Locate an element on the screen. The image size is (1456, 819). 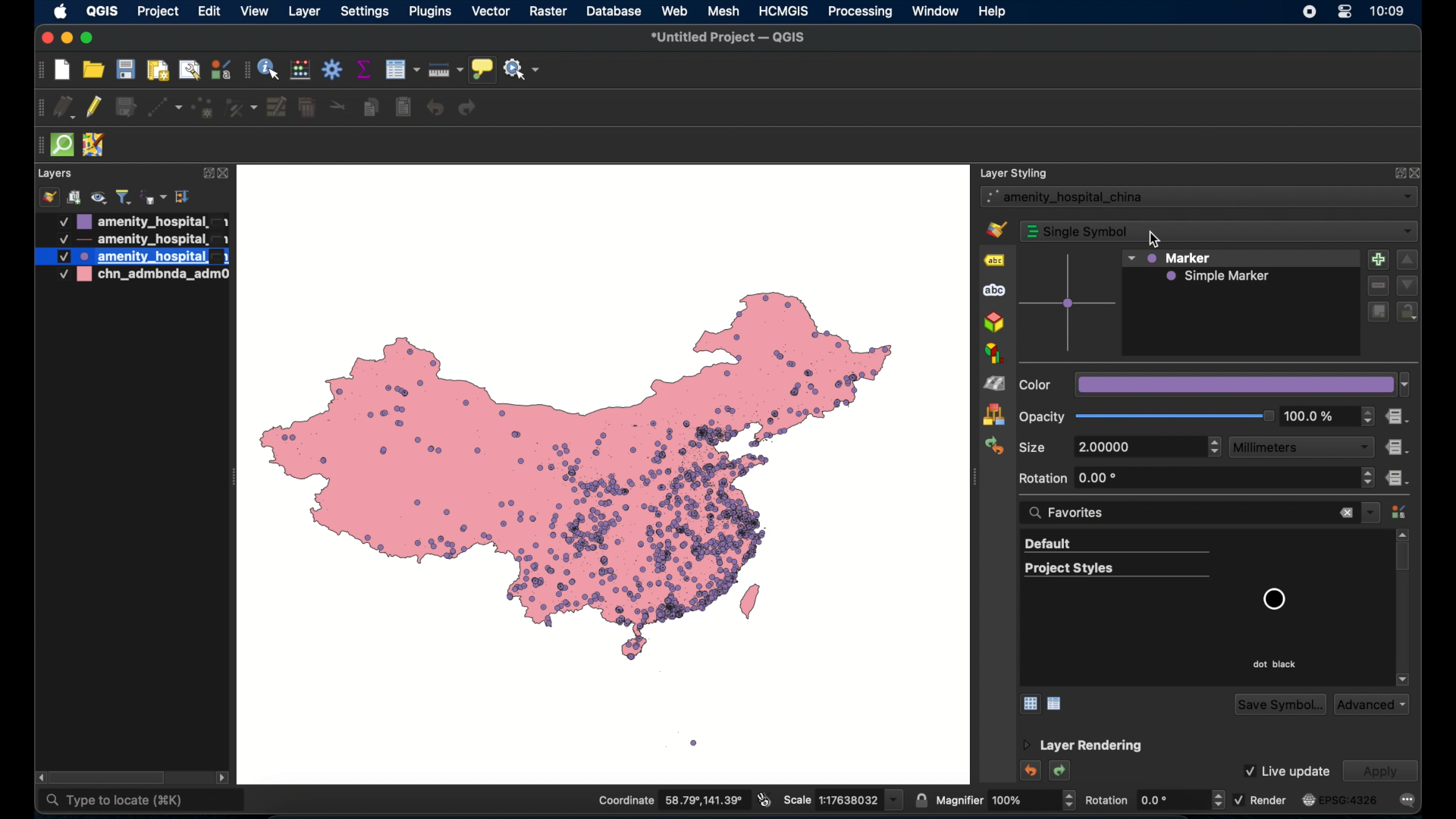
dropdown is located at coordinates (1372, 513).